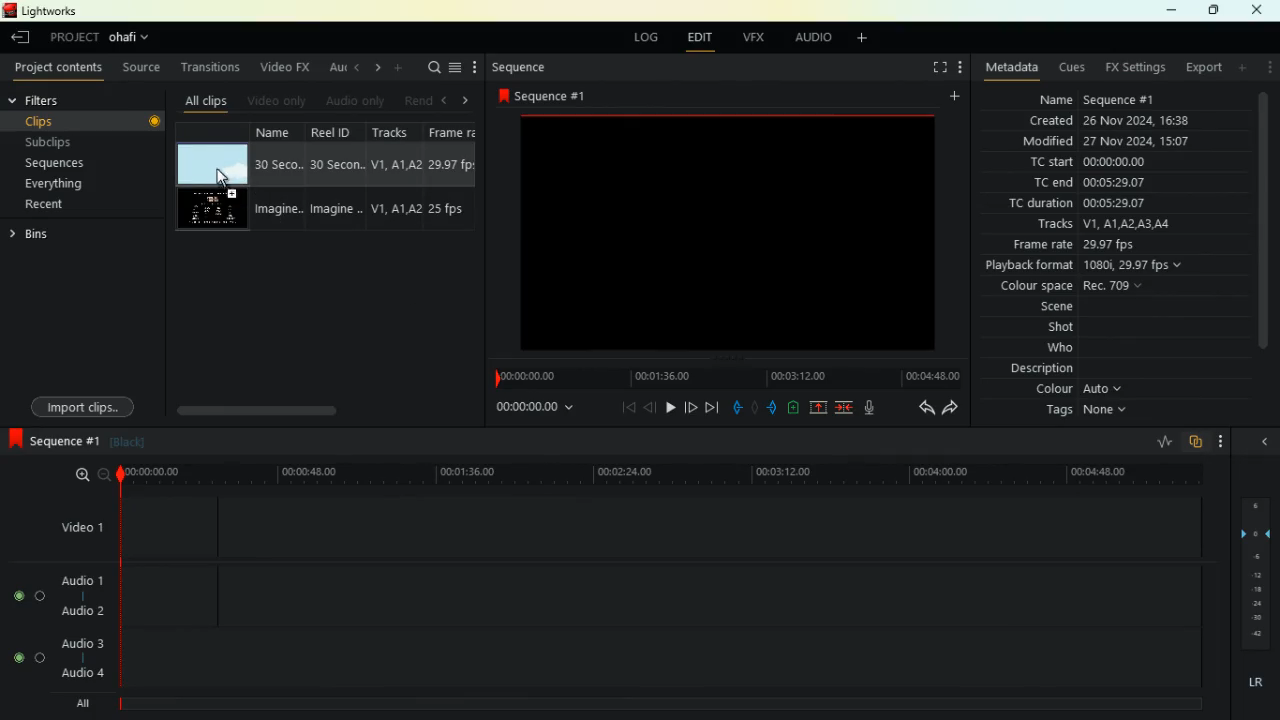 The height and width of the screenshot is (720, 1280). What do you see at coordinates (395, 209) in the screenshot?
I see `V1,A1, A2` at bounding box center [395, 209].